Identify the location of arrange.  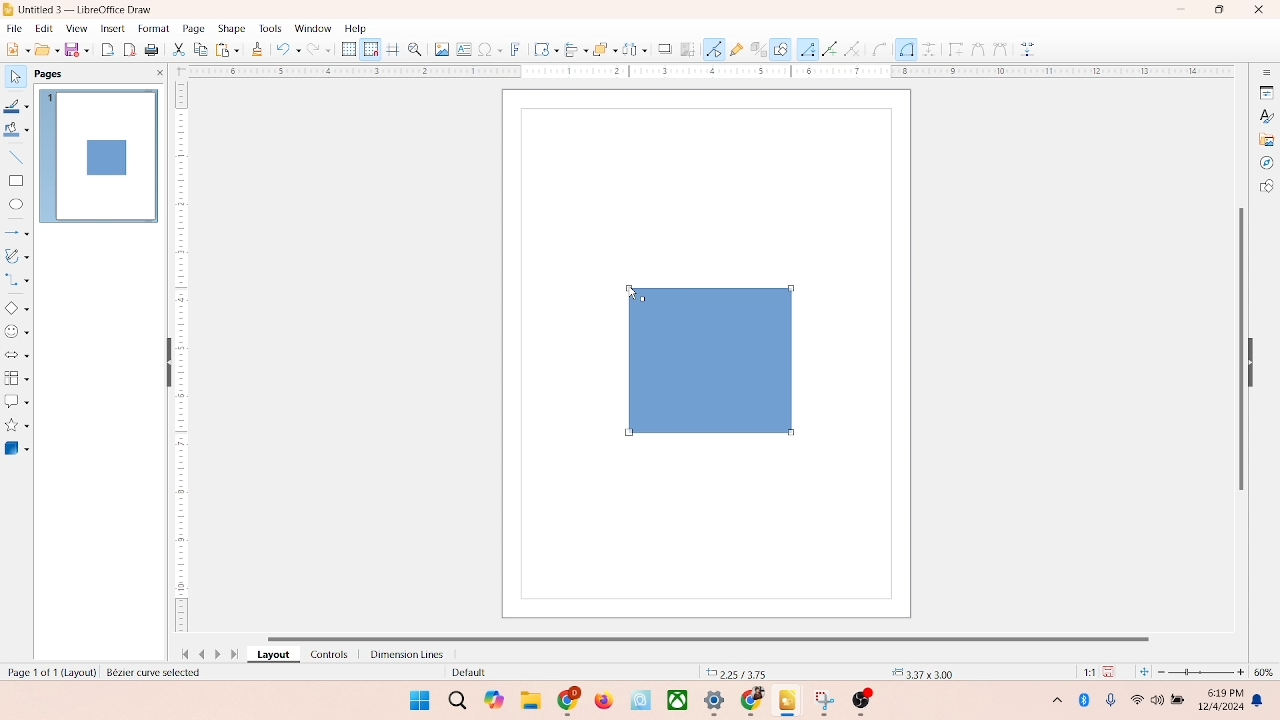
(599, 47).